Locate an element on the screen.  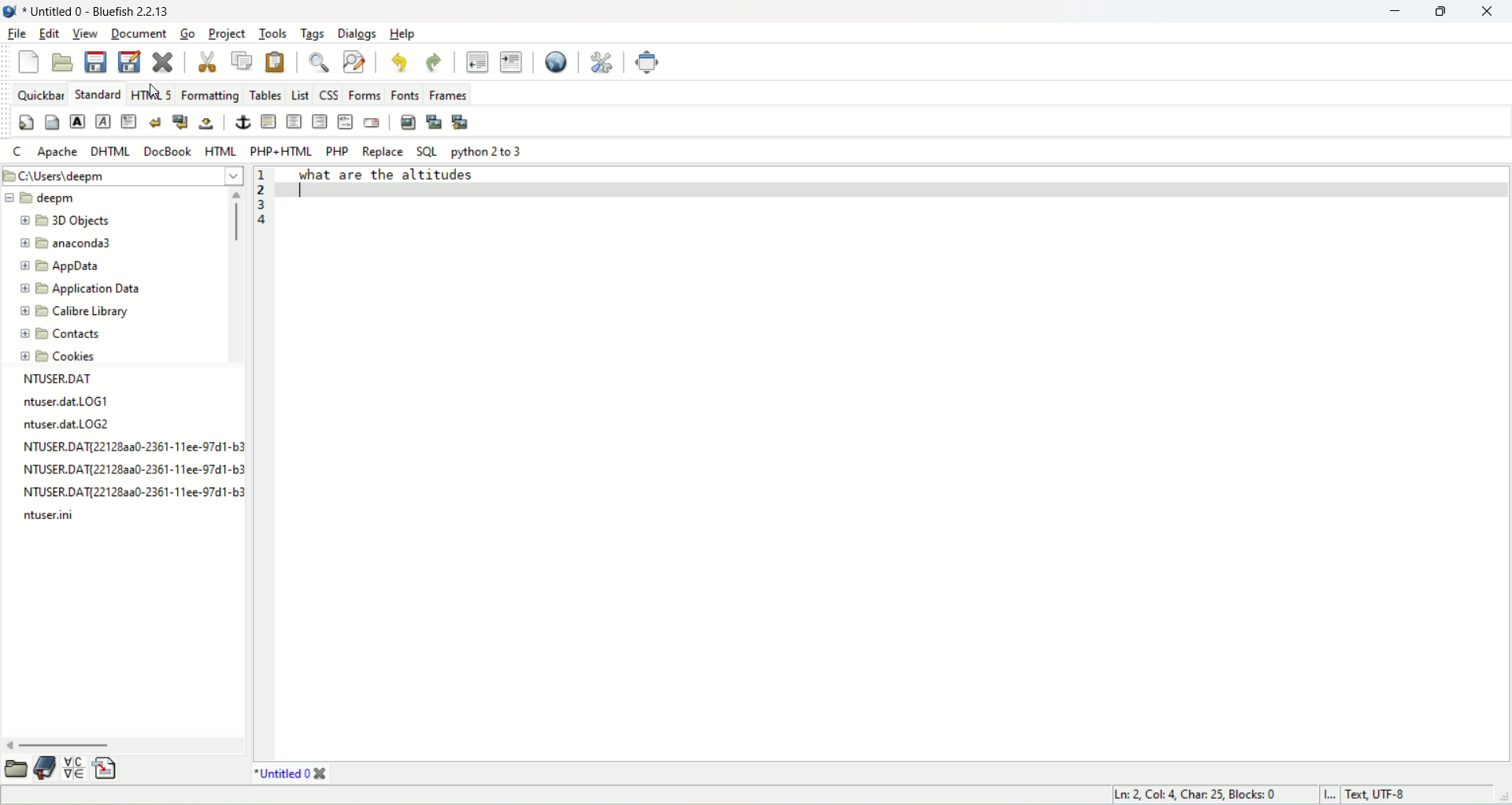
cookies is located at coordinates (61, 356).